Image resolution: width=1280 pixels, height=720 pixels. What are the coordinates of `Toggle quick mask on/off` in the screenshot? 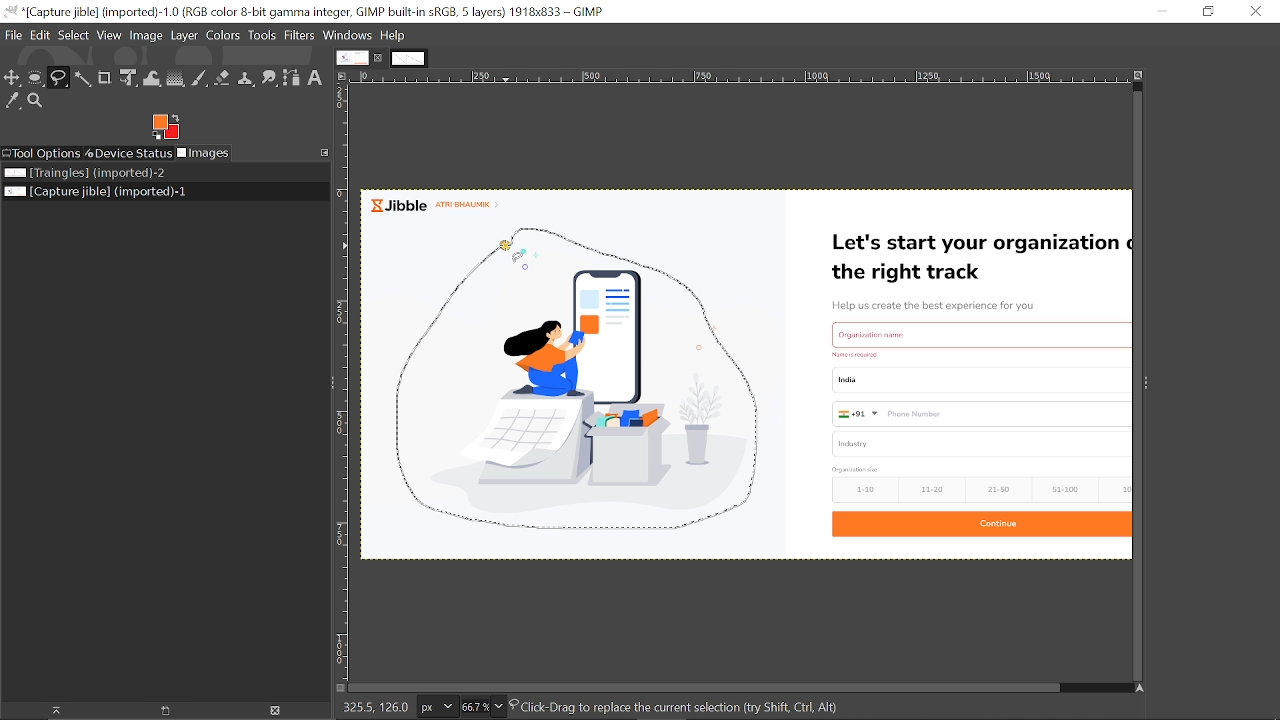 It's located at (336, 688).